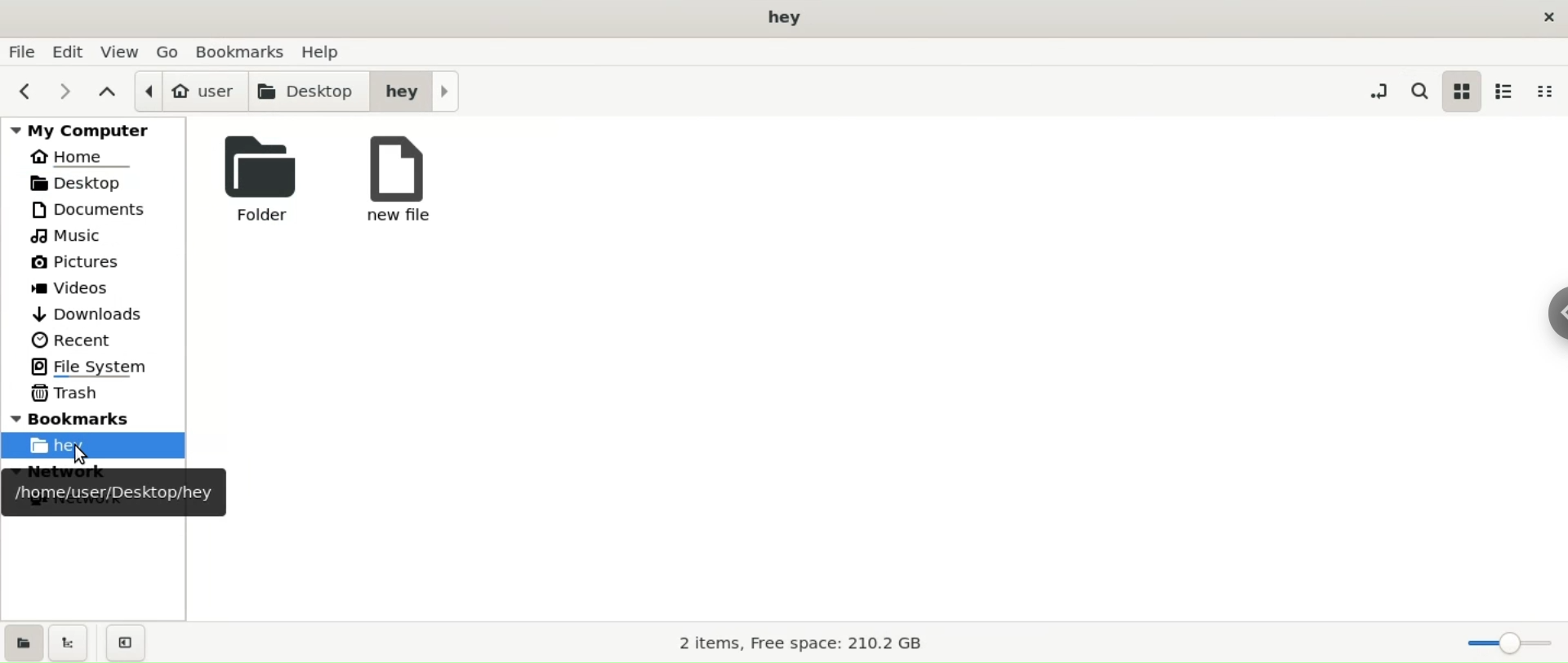 The image size is (1568, 663). Describe the element at coordinates (88, 316) in the screenshot. I see `downloads` at that location.